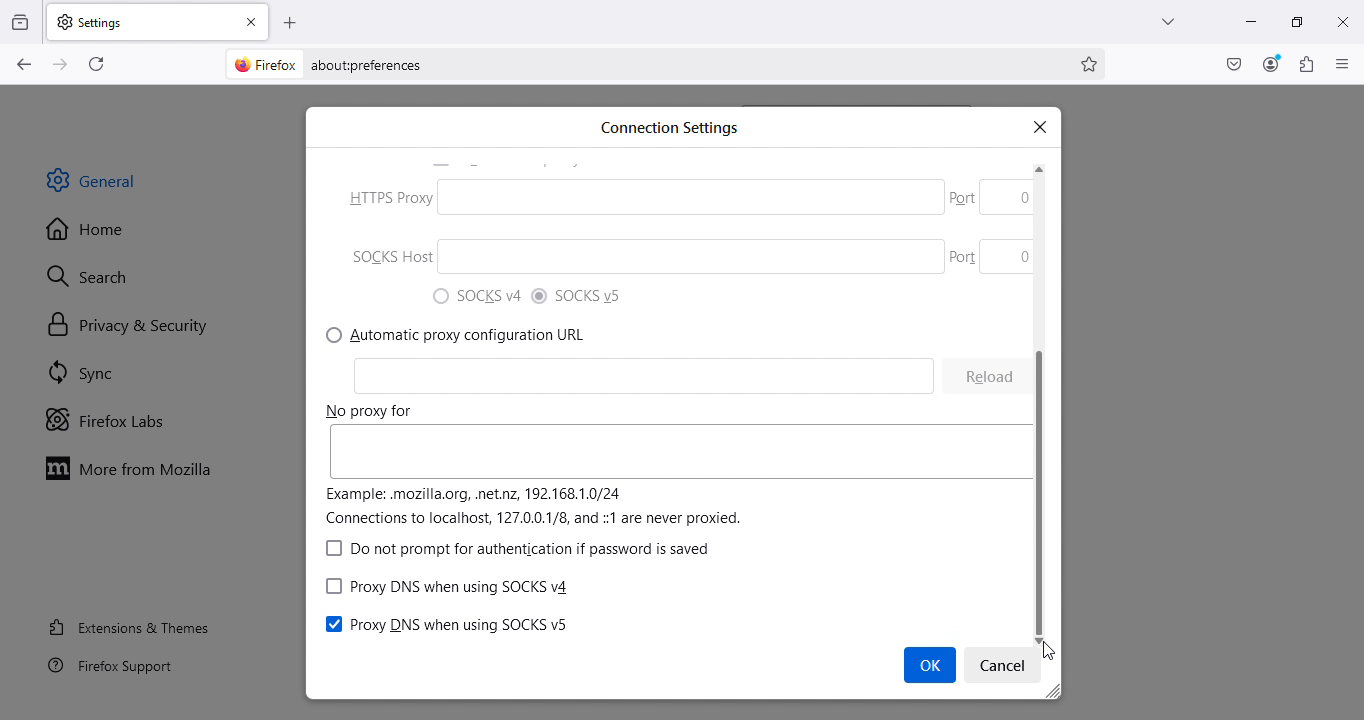 The height and width of the screenshot is (720, 1364). What do you see at coordinates (473, 297) in the screenshot?
I see `) Use system proxy settings` at bounding box center [473, 297].